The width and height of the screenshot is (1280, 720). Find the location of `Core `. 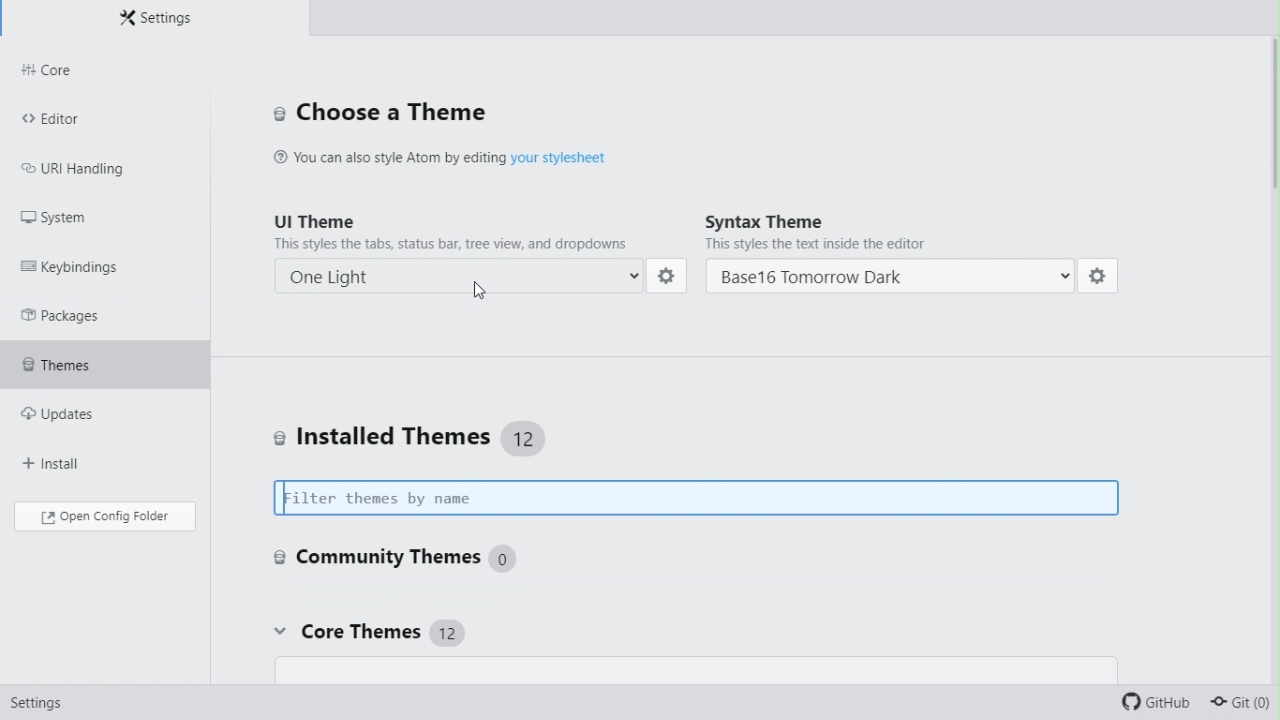

Core  is located at coordinates (105, 71).